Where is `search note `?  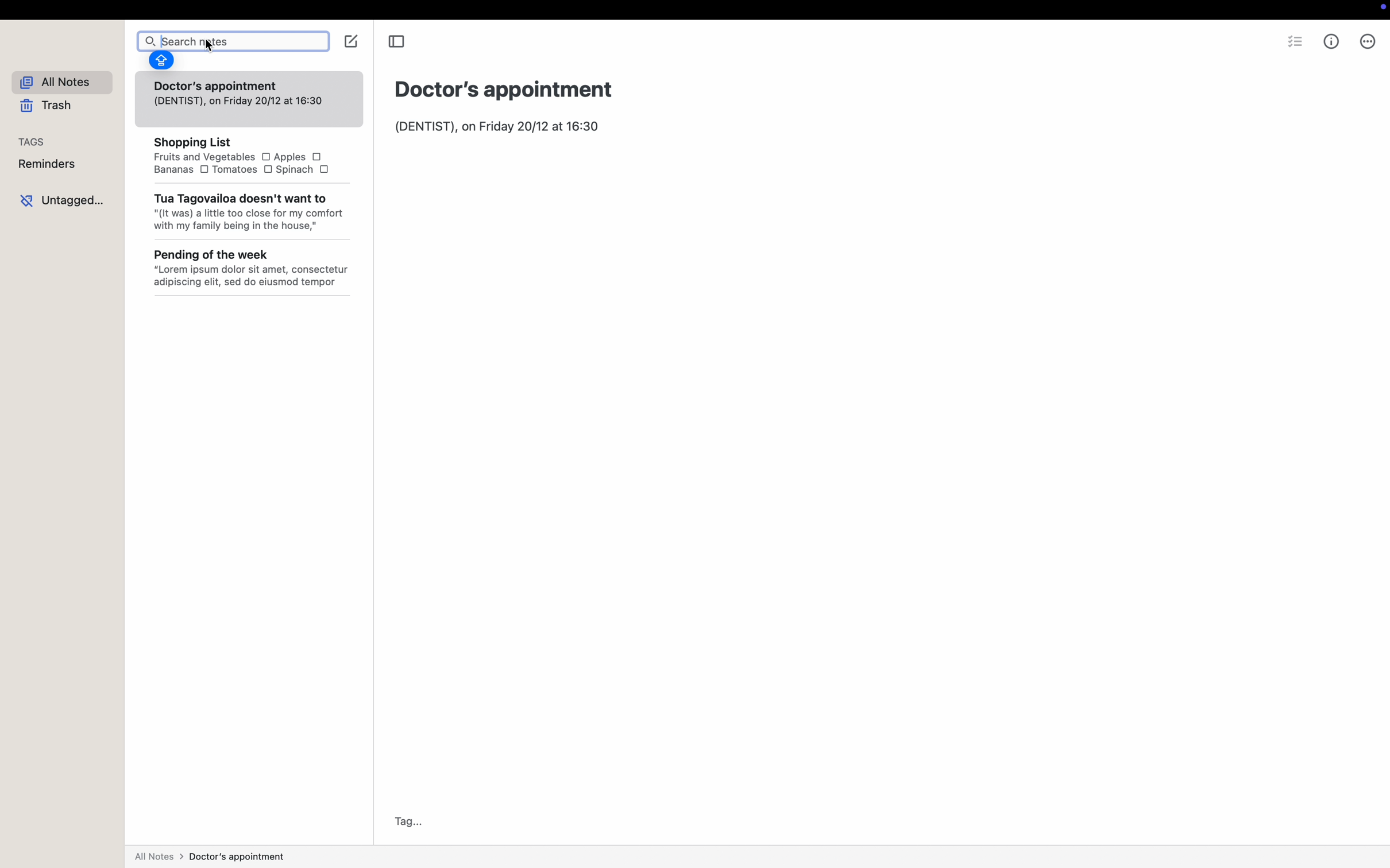 search note  is located at coordinates (230, 37).